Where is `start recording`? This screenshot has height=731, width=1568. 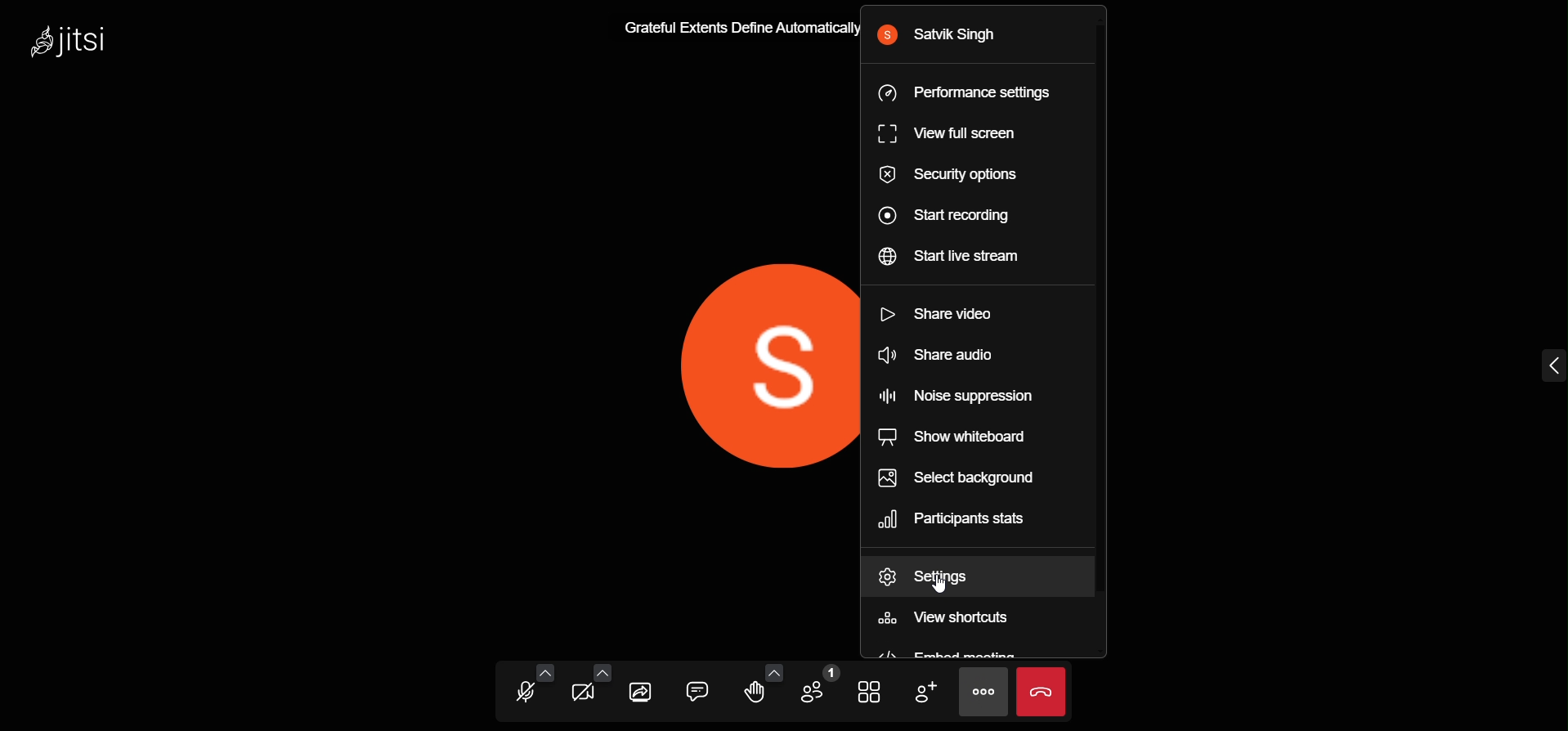 start recording is located at coordinates (943, 219).